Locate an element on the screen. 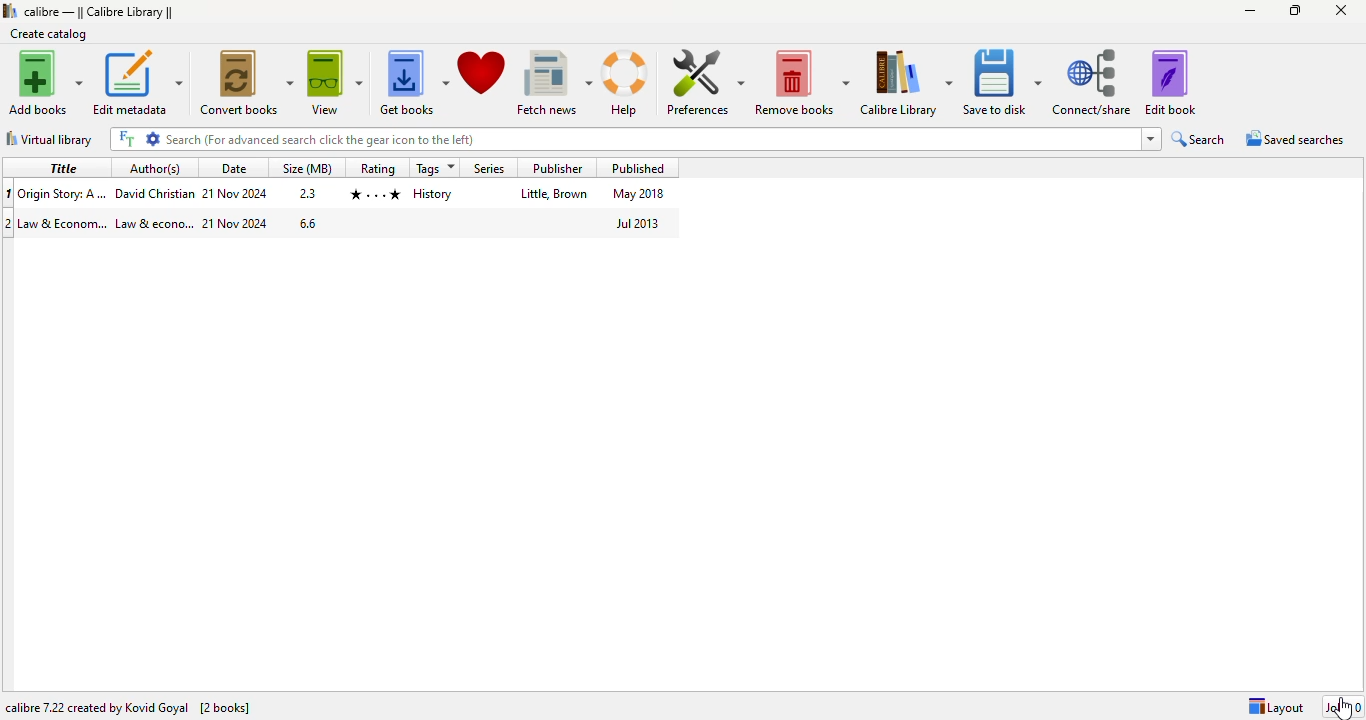  help is located at coordinates (628, 84).